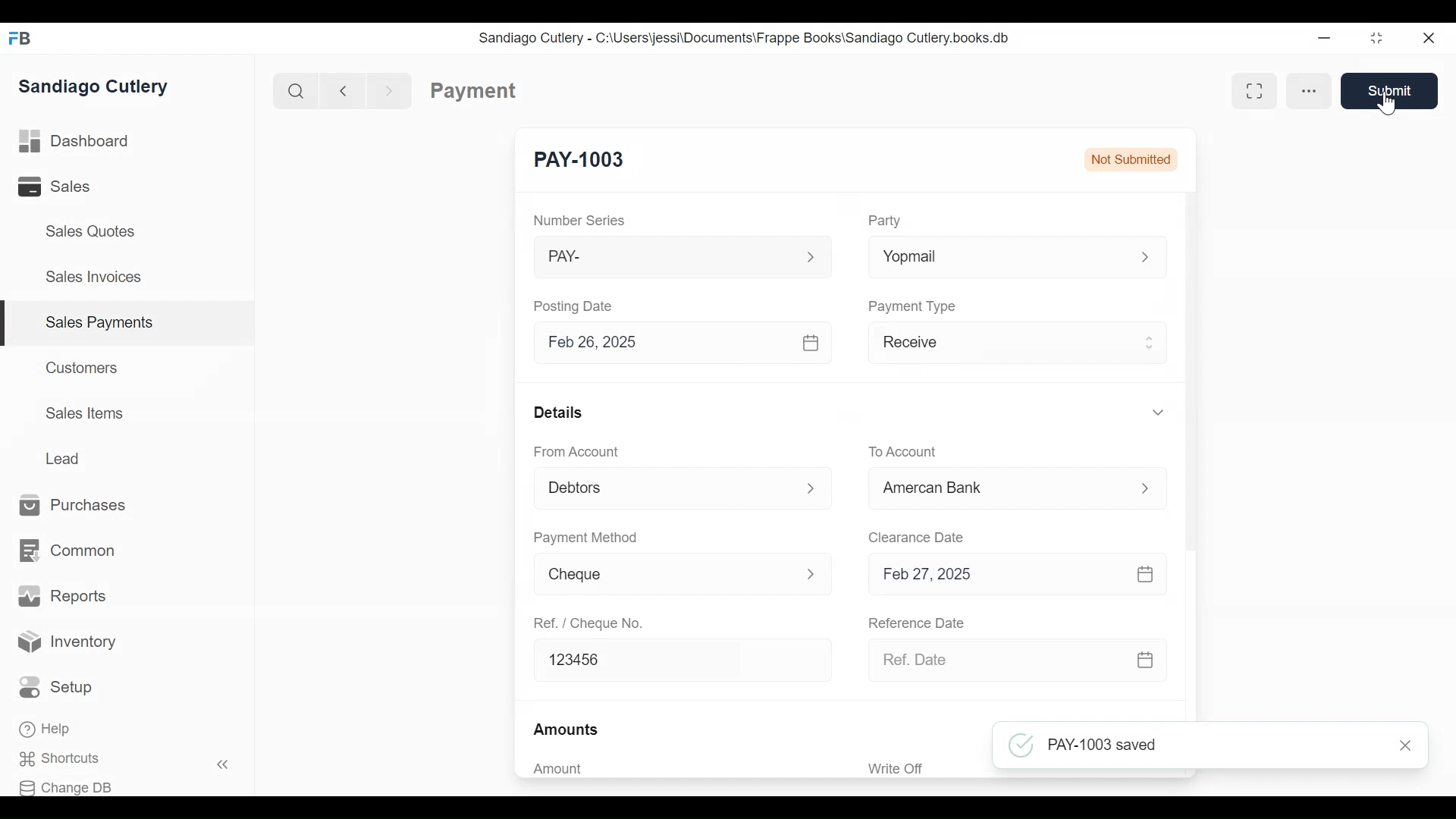 The image size is (1456, 819). What do you see at coordinates (997, 575) in the screenshot?
I see `Feb 27, 2025` at bounding box center [997, 575].